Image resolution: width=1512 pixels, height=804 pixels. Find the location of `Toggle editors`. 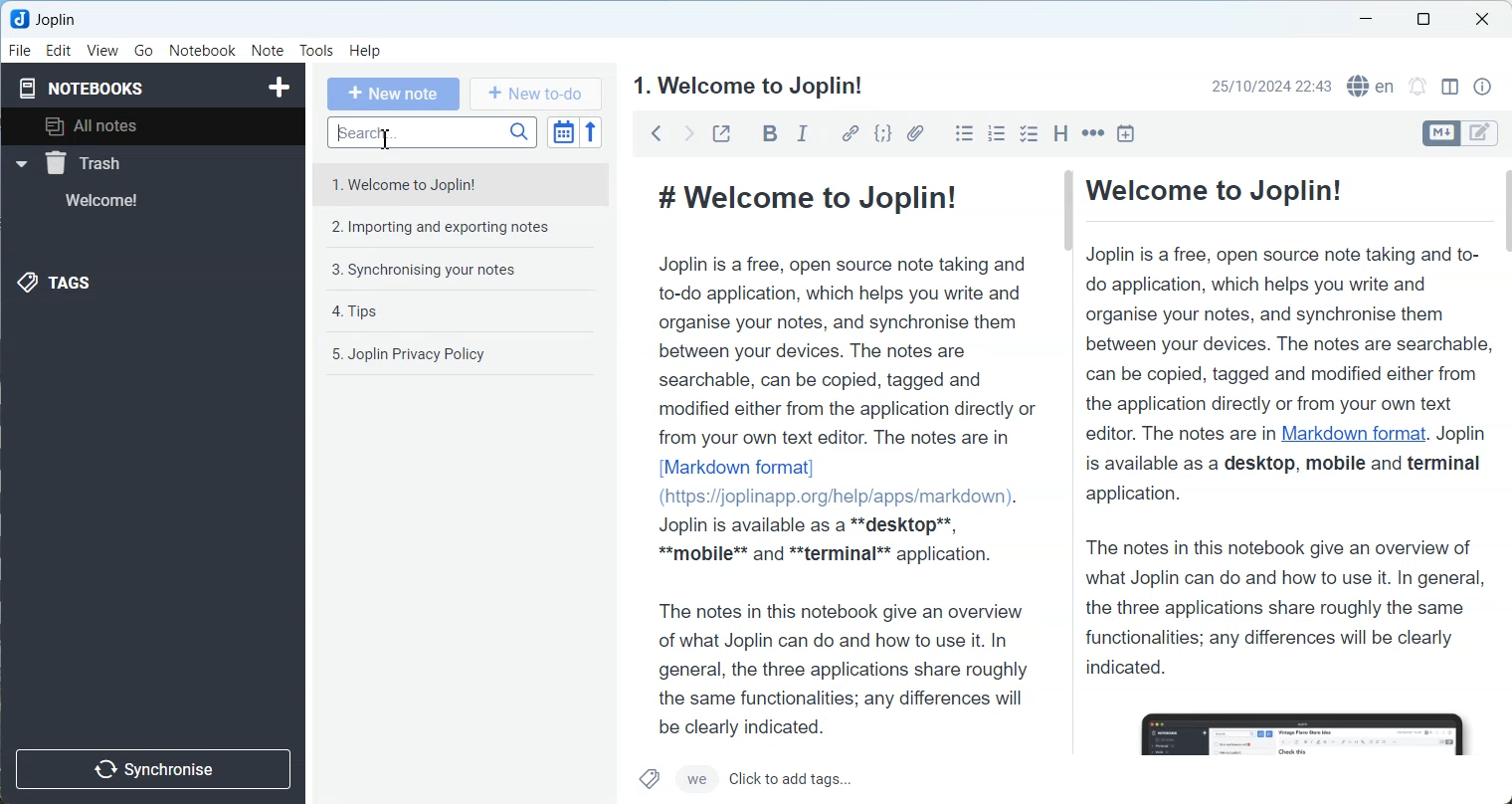

Toggle editors is located at coordinates (1439, 133).